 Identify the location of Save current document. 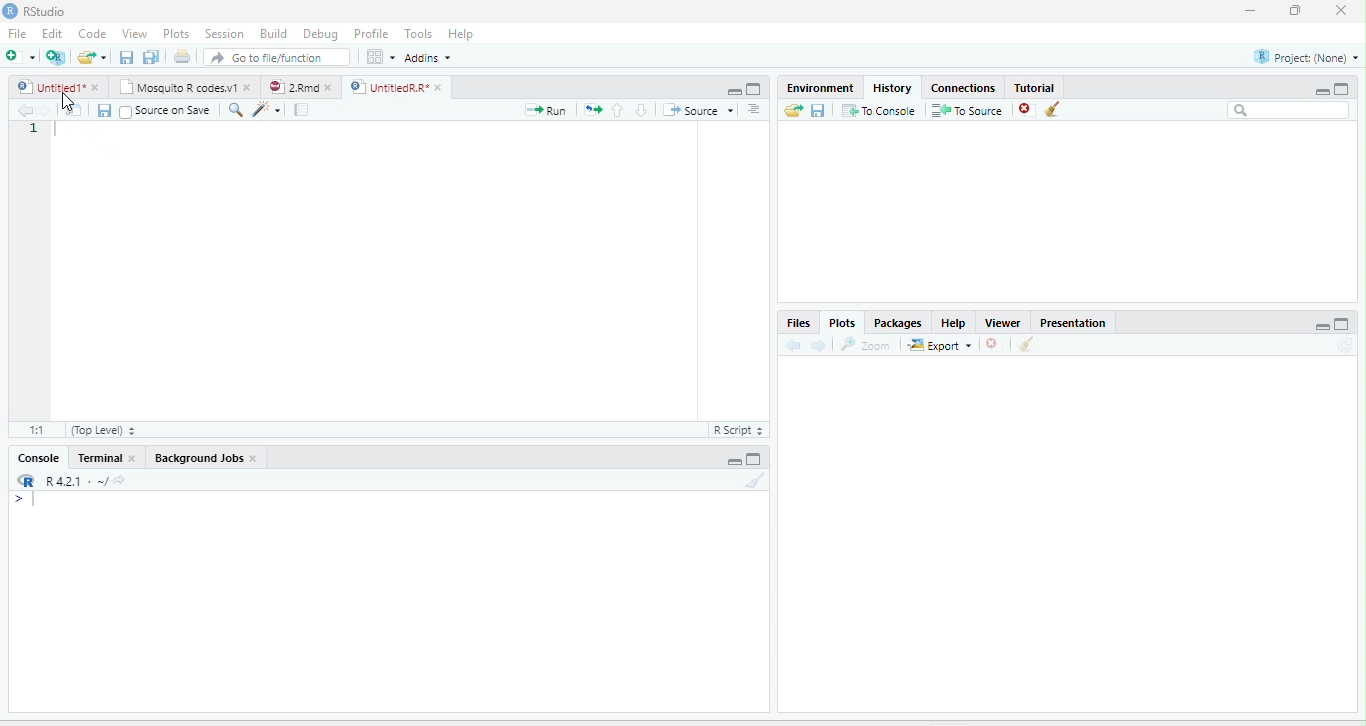
(104, 111).